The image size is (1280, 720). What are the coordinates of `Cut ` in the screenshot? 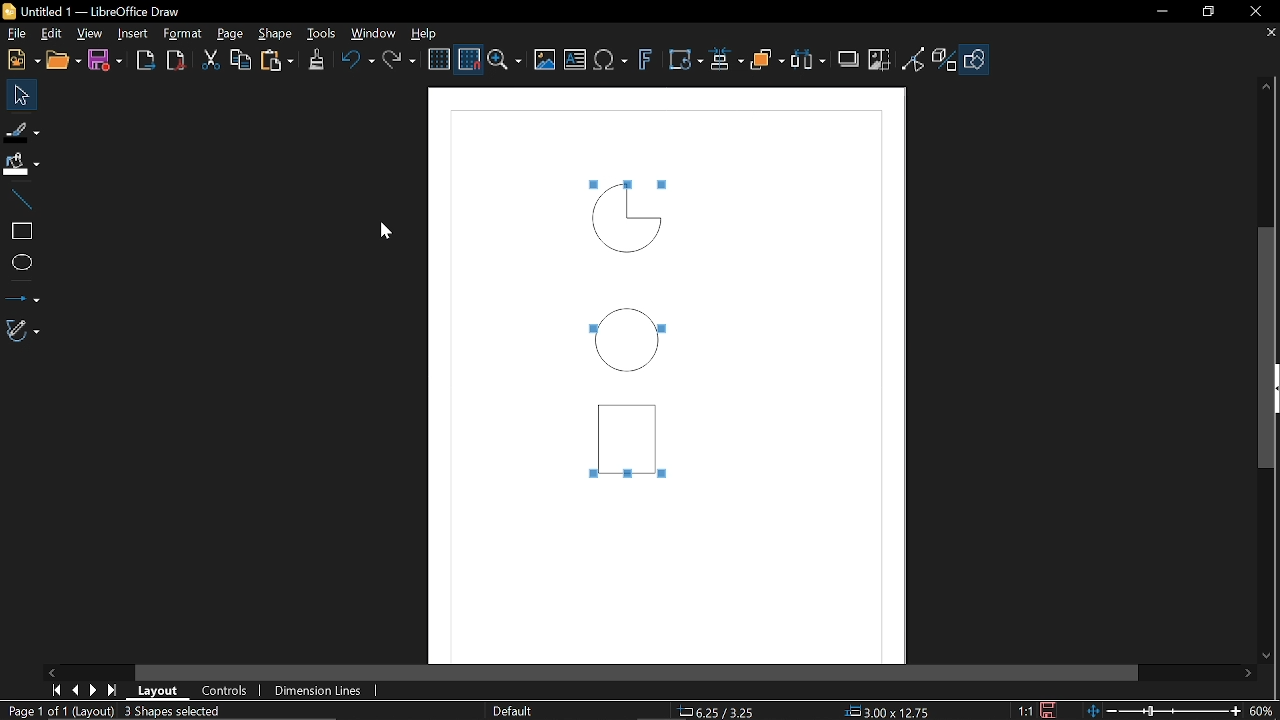 It's located at (210, 60).